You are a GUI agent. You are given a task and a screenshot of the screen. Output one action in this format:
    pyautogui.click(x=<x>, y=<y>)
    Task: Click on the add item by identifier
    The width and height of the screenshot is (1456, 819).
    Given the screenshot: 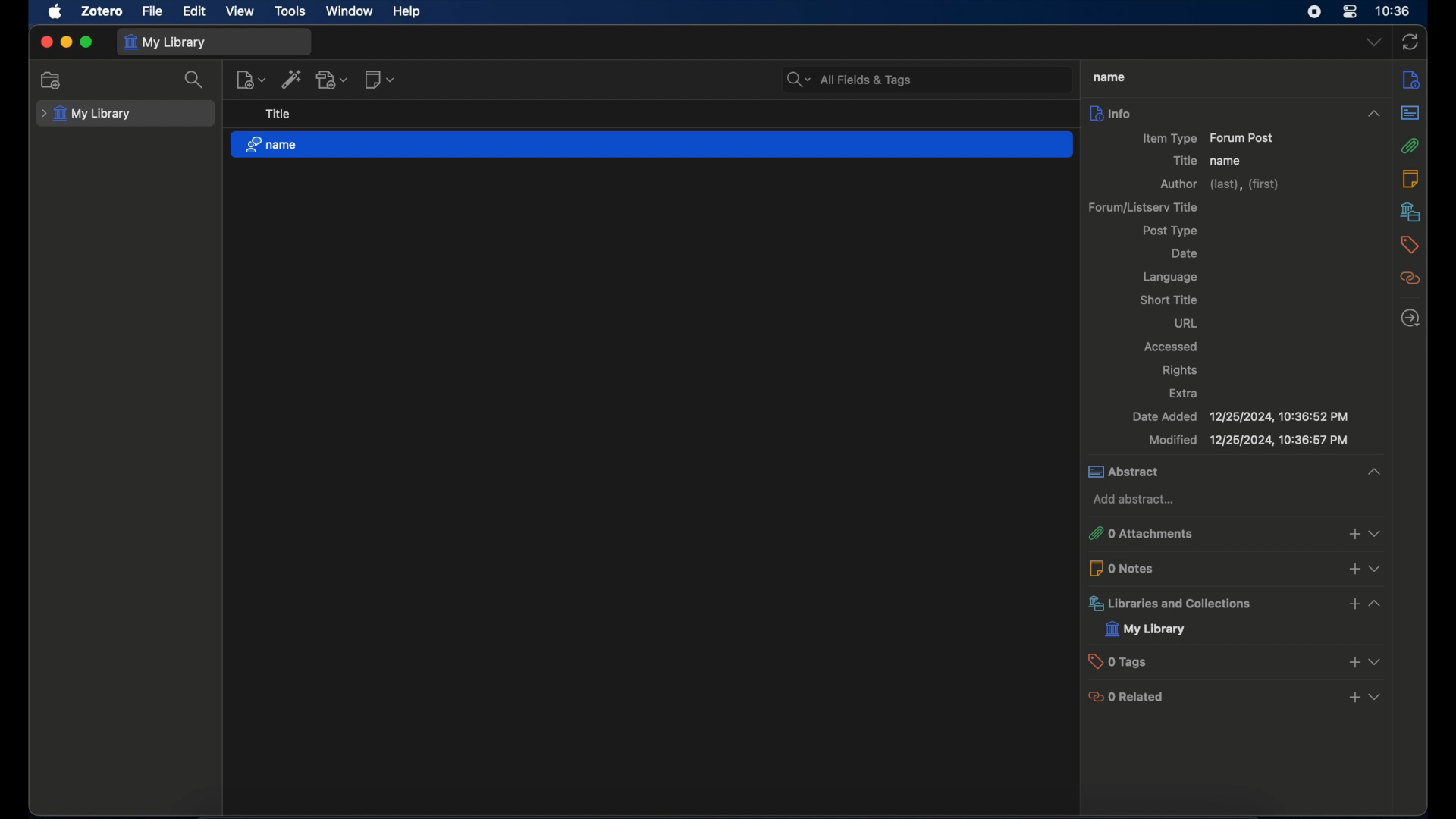 What is the action you would take?
    pyautogui.click(x=292, y=79)
    